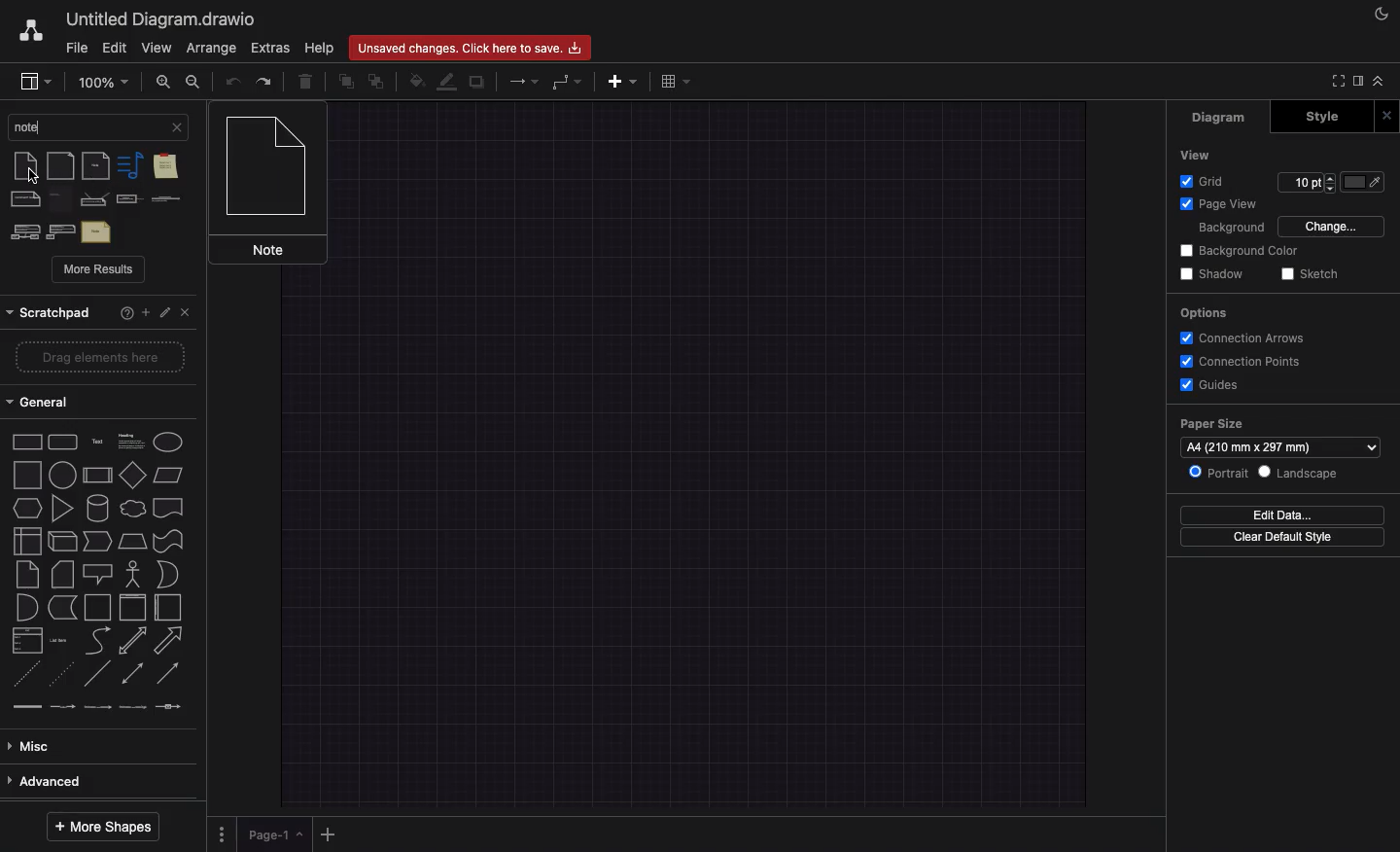 This screenshot has width=1400, height=852. Describe the element at coordinates (24, 609) in the screenshot. I see `or` at that location.